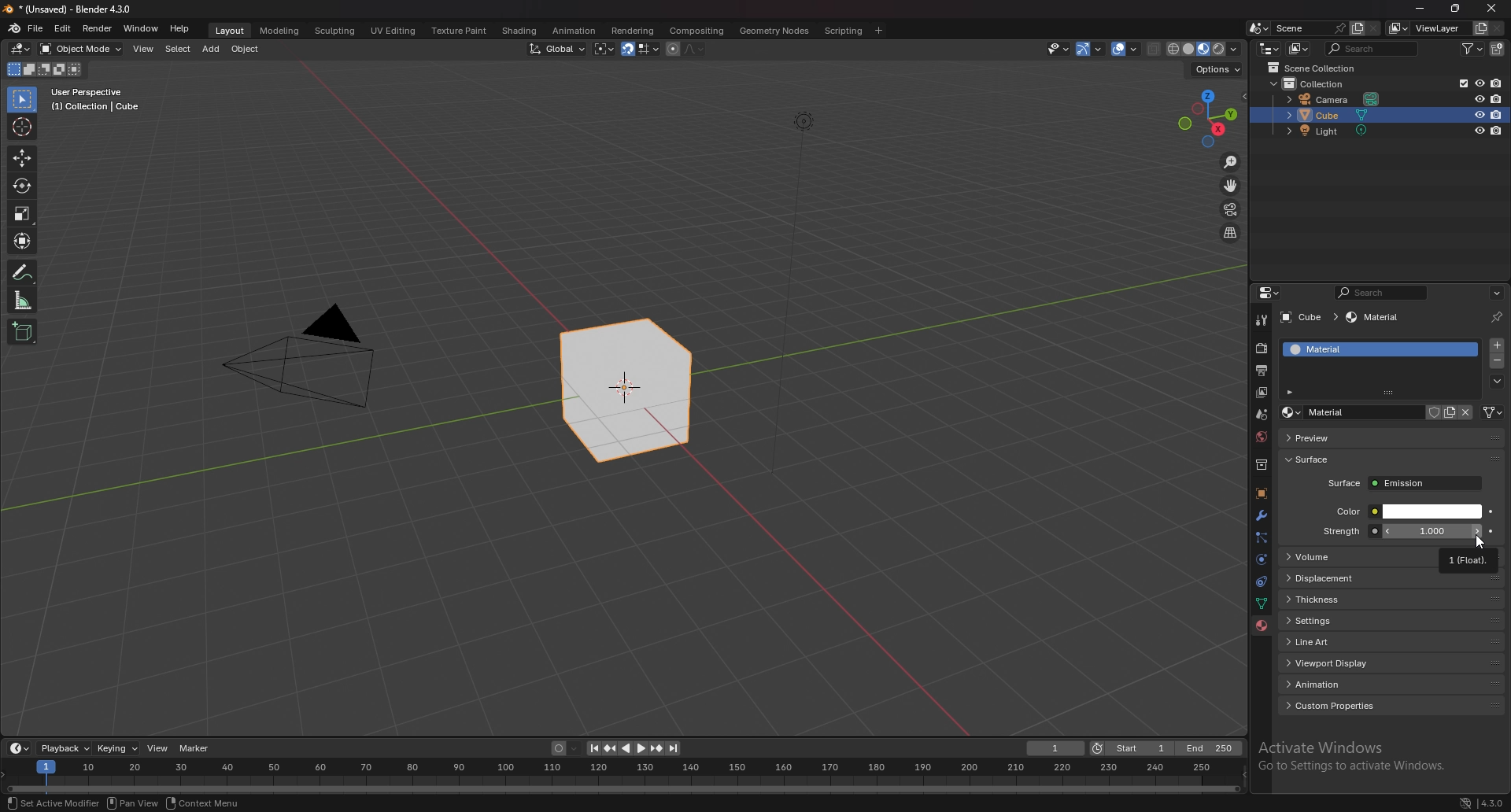  Describe the element at coordinates (1260, 494) in the screenshot. I see `object` at that location.